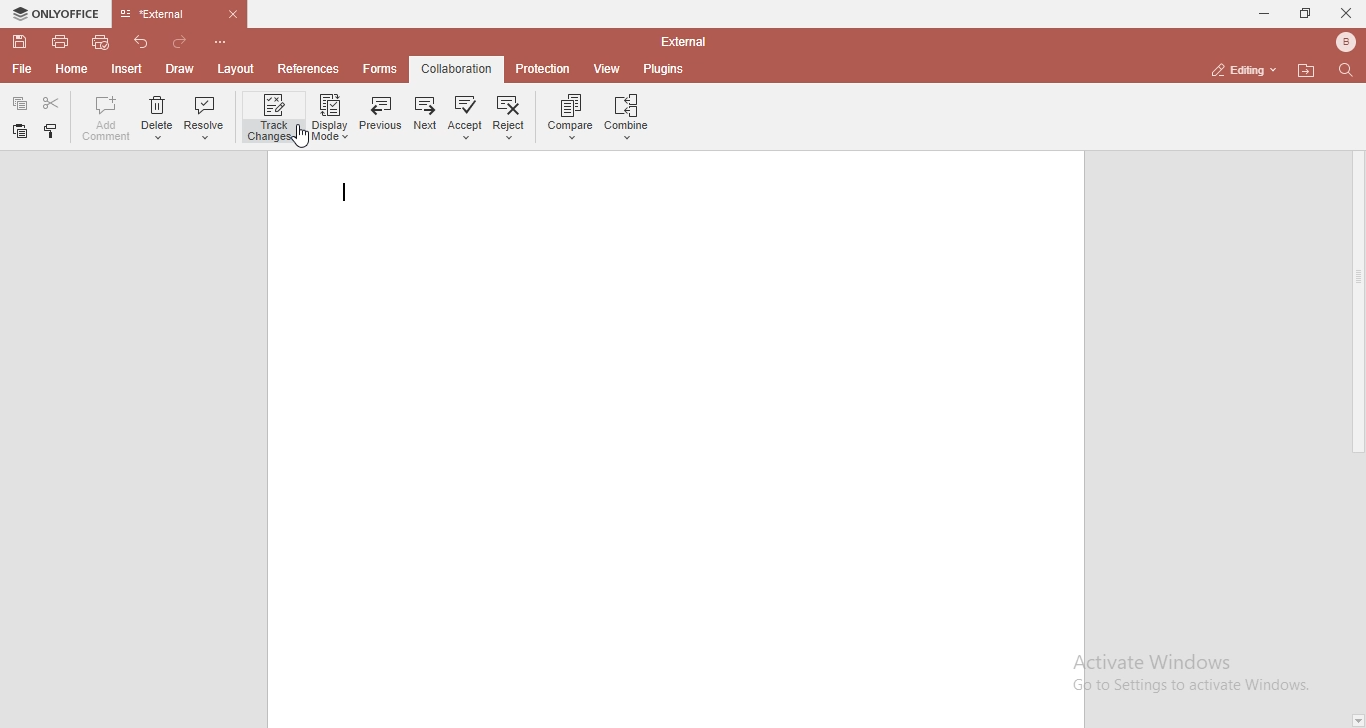 This screenshot has width=1366, height=728. What do you see at coordinates (664, 70) in the screenshot?
I see `plugins` at bounding box center [664, 70].